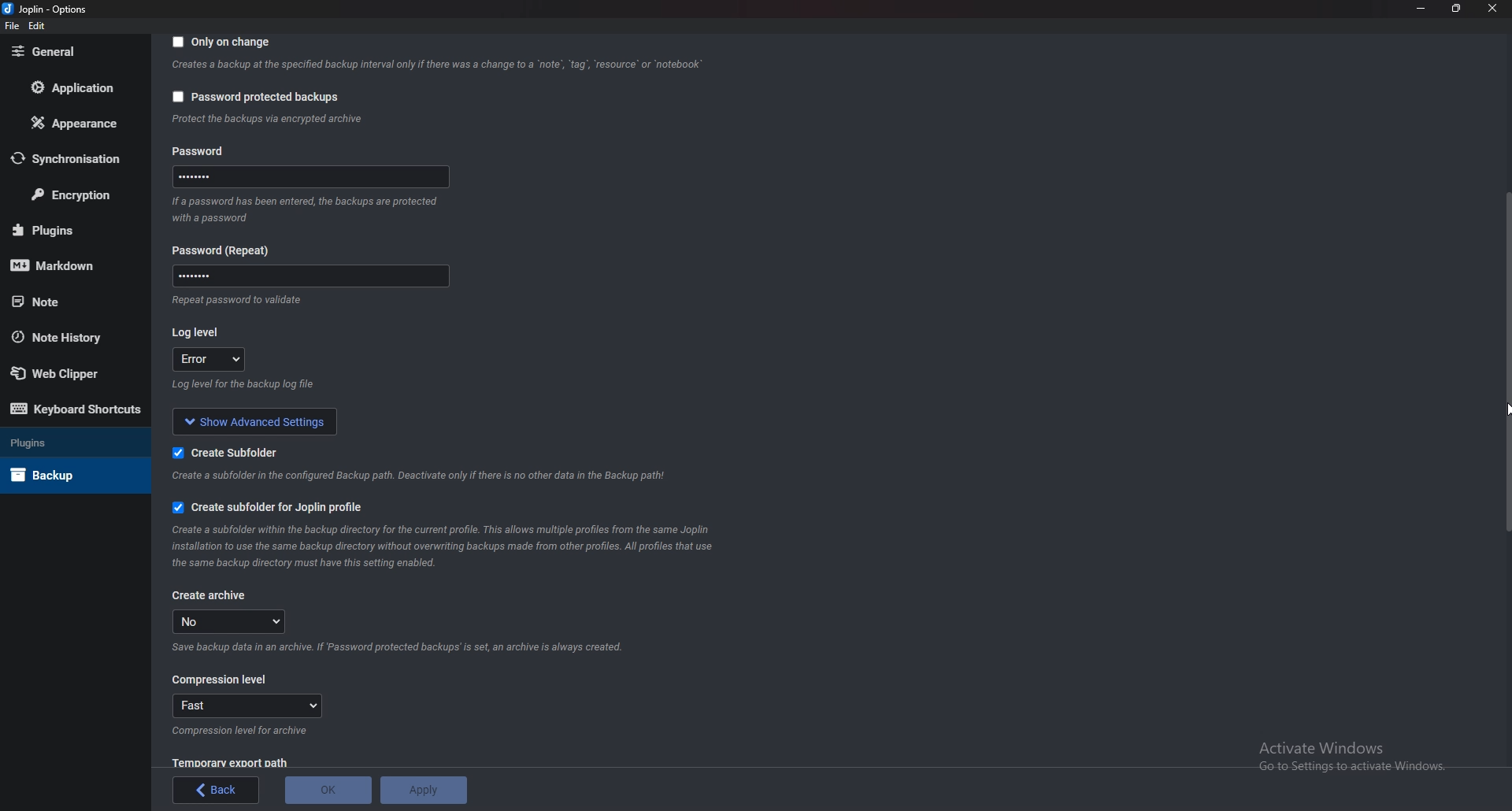  Describe the element at coordinates (69, 87) in the screenshot. I see `Application` at that location.